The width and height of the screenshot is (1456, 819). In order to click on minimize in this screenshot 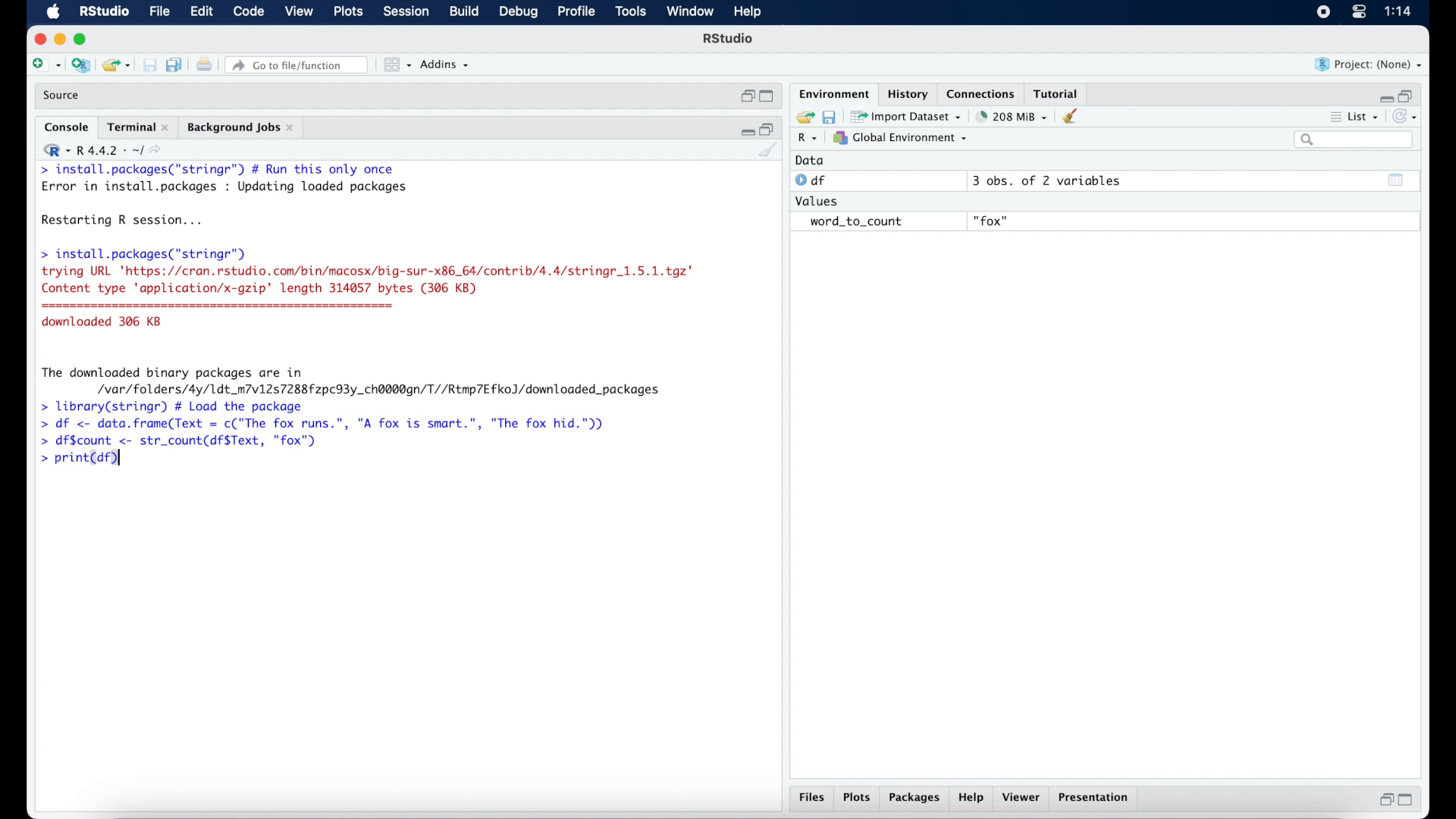, I will do `click(59, 39)`.